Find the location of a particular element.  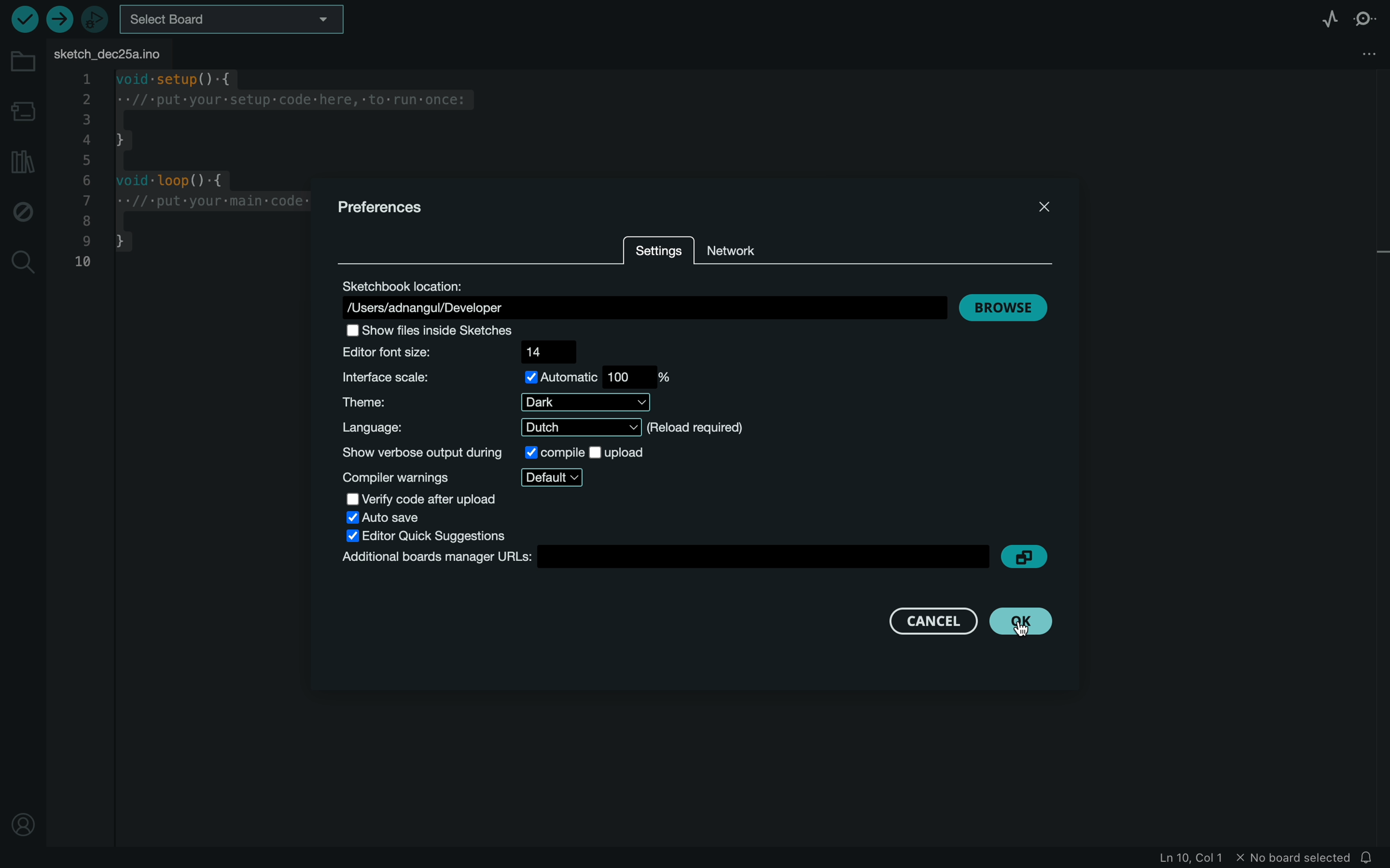

compiler is located at coordinates (462, 478).